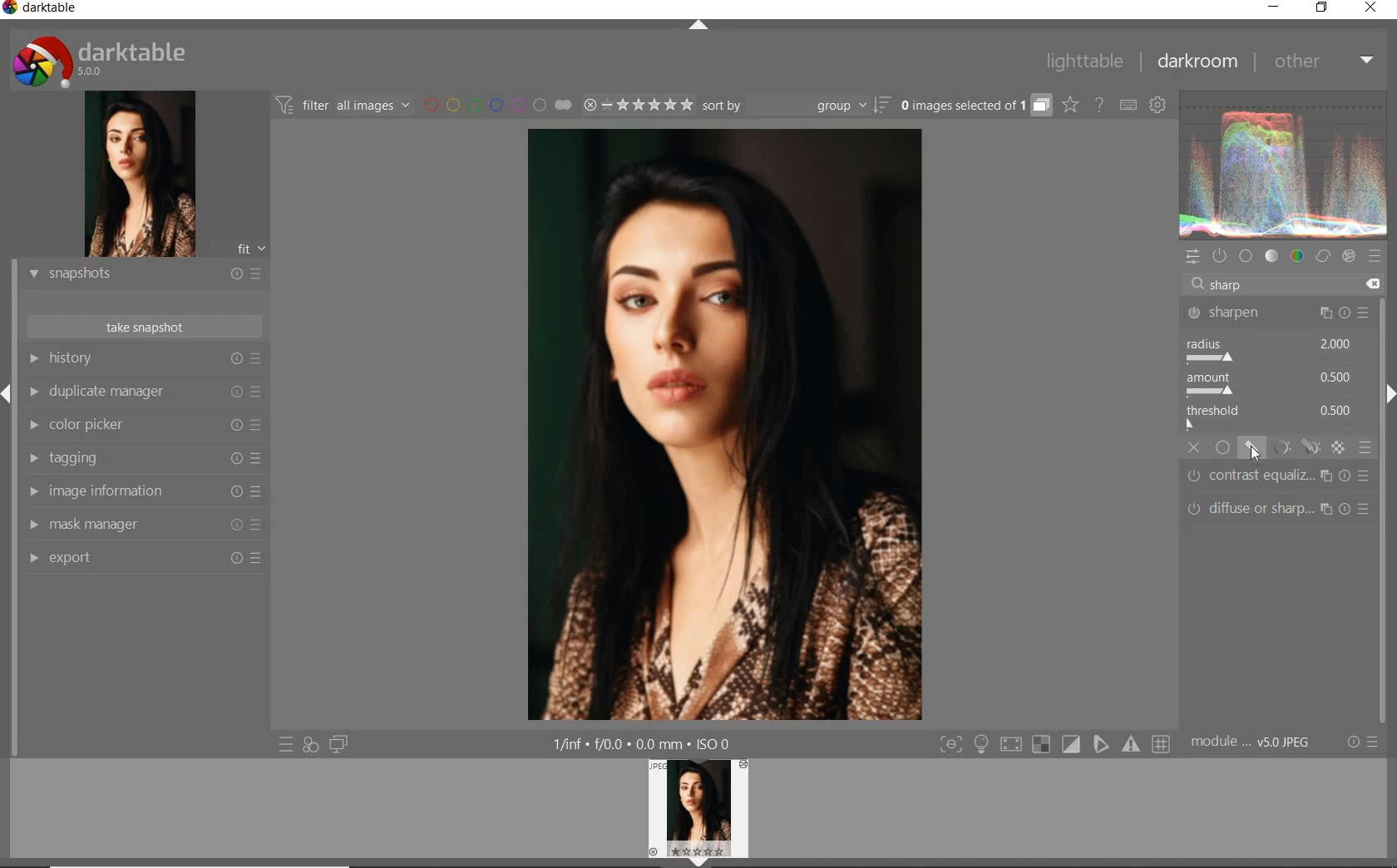  What do you see at coordinates (1071, 106) in the screenshot?
I see `click to change overlays on thumbnails` at bounding box center [1071, 106].